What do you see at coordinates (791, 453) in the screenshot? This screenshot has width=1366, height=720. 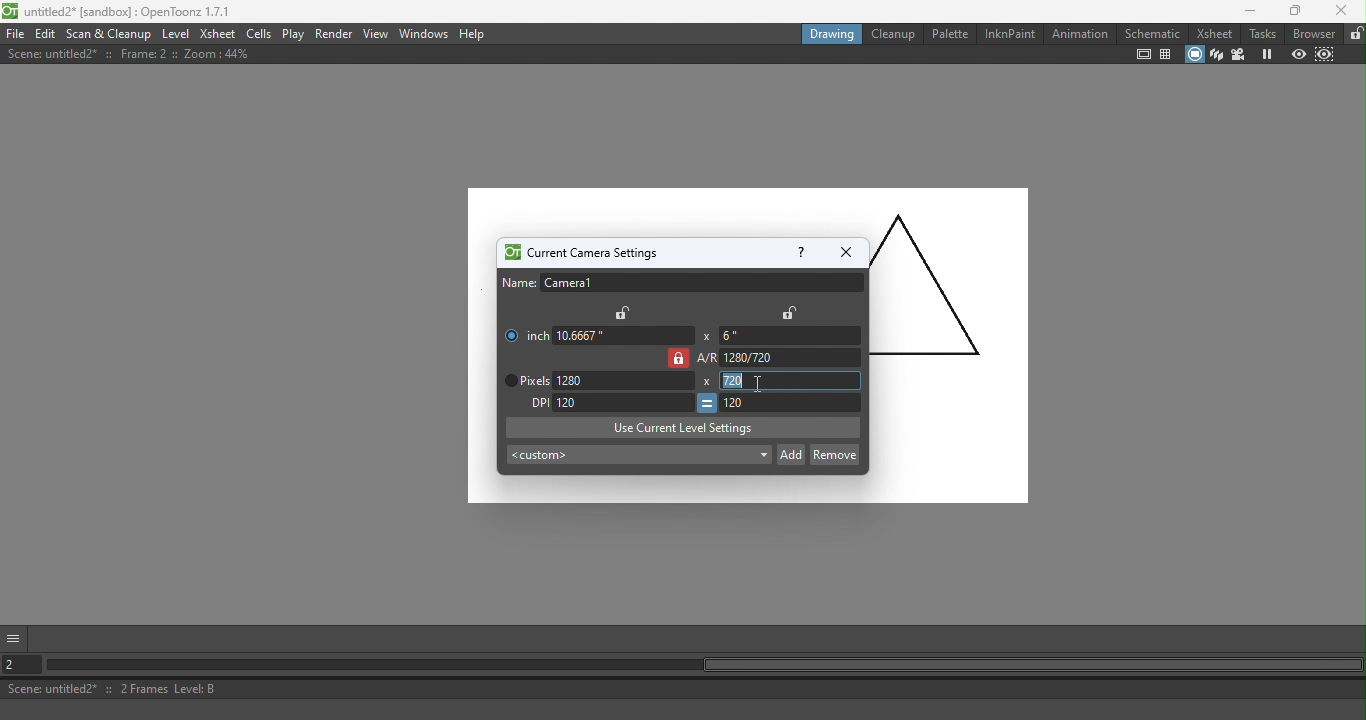 I see `Add` at bounding box center [791, 453].